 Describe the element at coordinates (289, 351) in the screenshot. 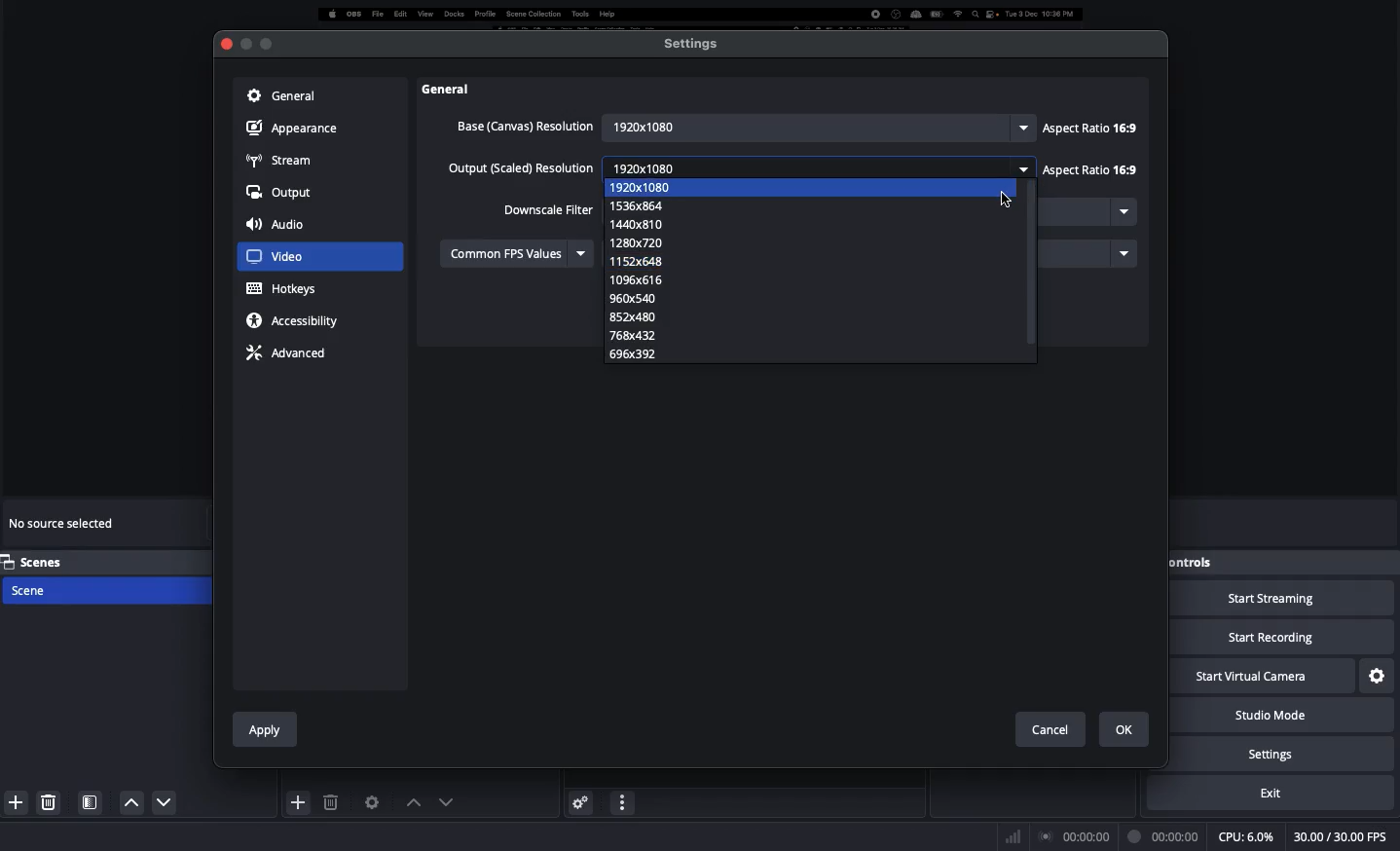

I see `Advance` at that location.